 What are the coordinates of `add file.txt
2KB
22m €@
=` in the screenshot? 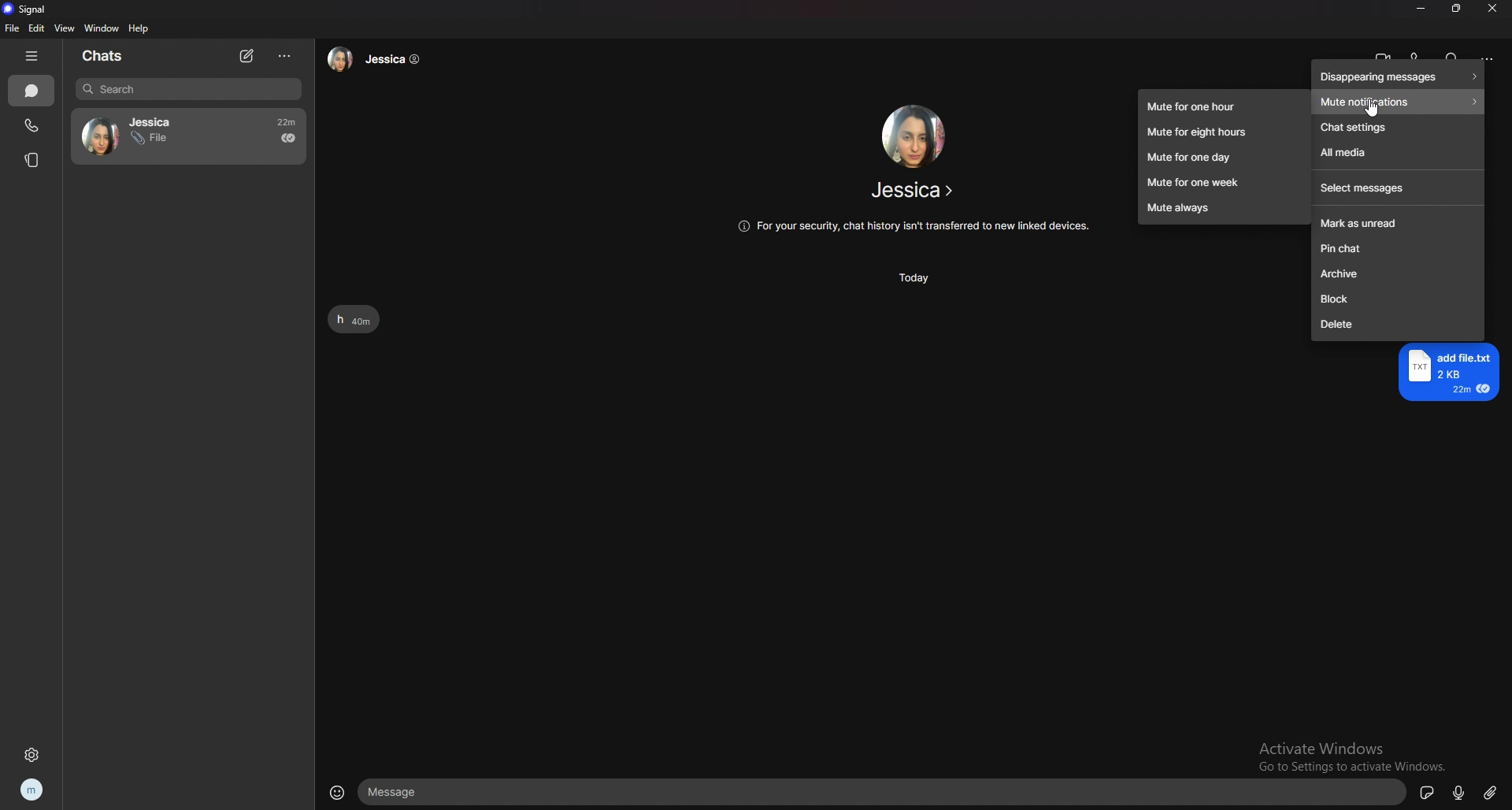 It's located at (1453, 373).